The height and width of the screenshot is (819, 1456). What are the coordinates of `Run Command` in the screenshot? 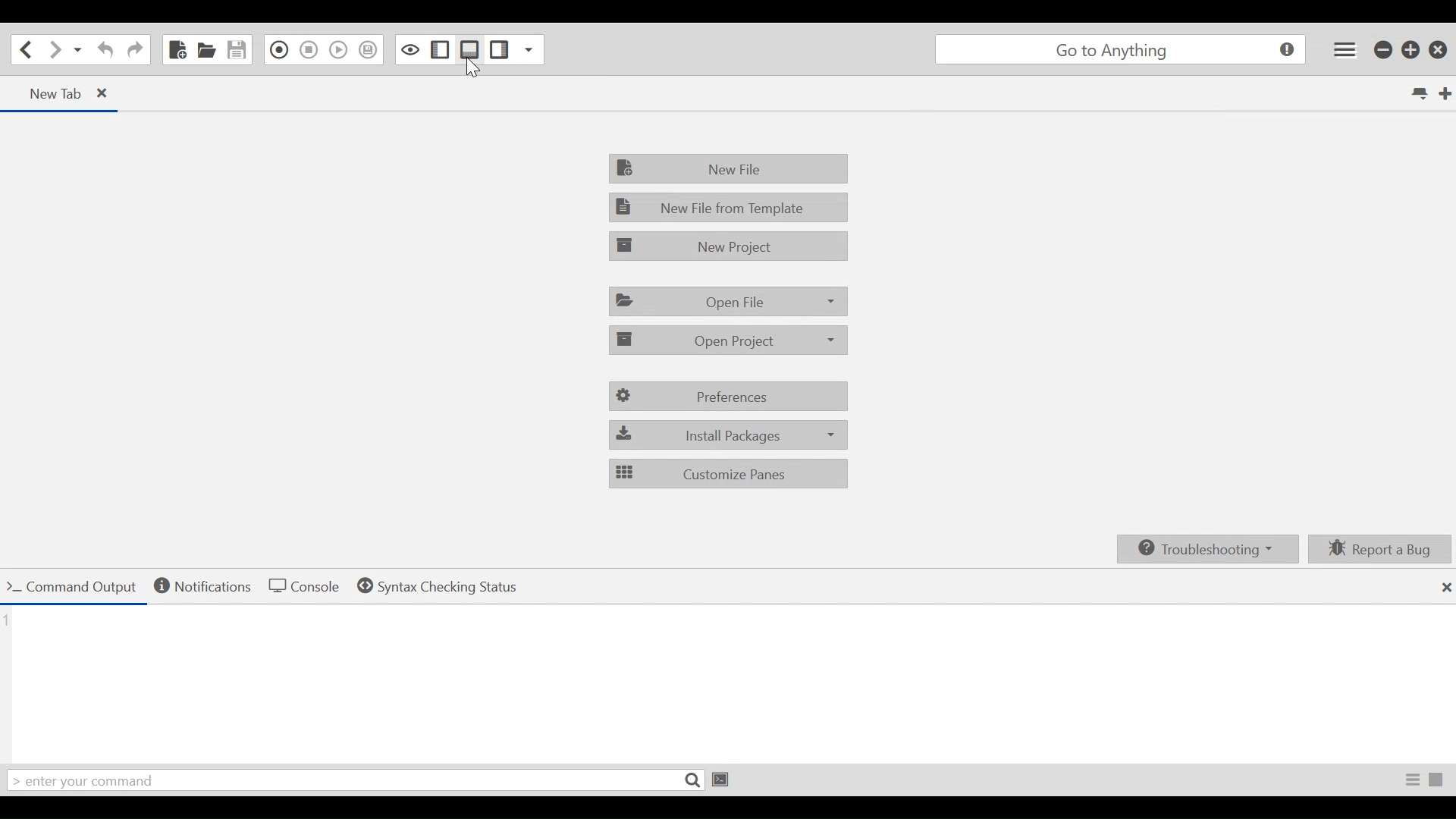 It's located at (720, 779).